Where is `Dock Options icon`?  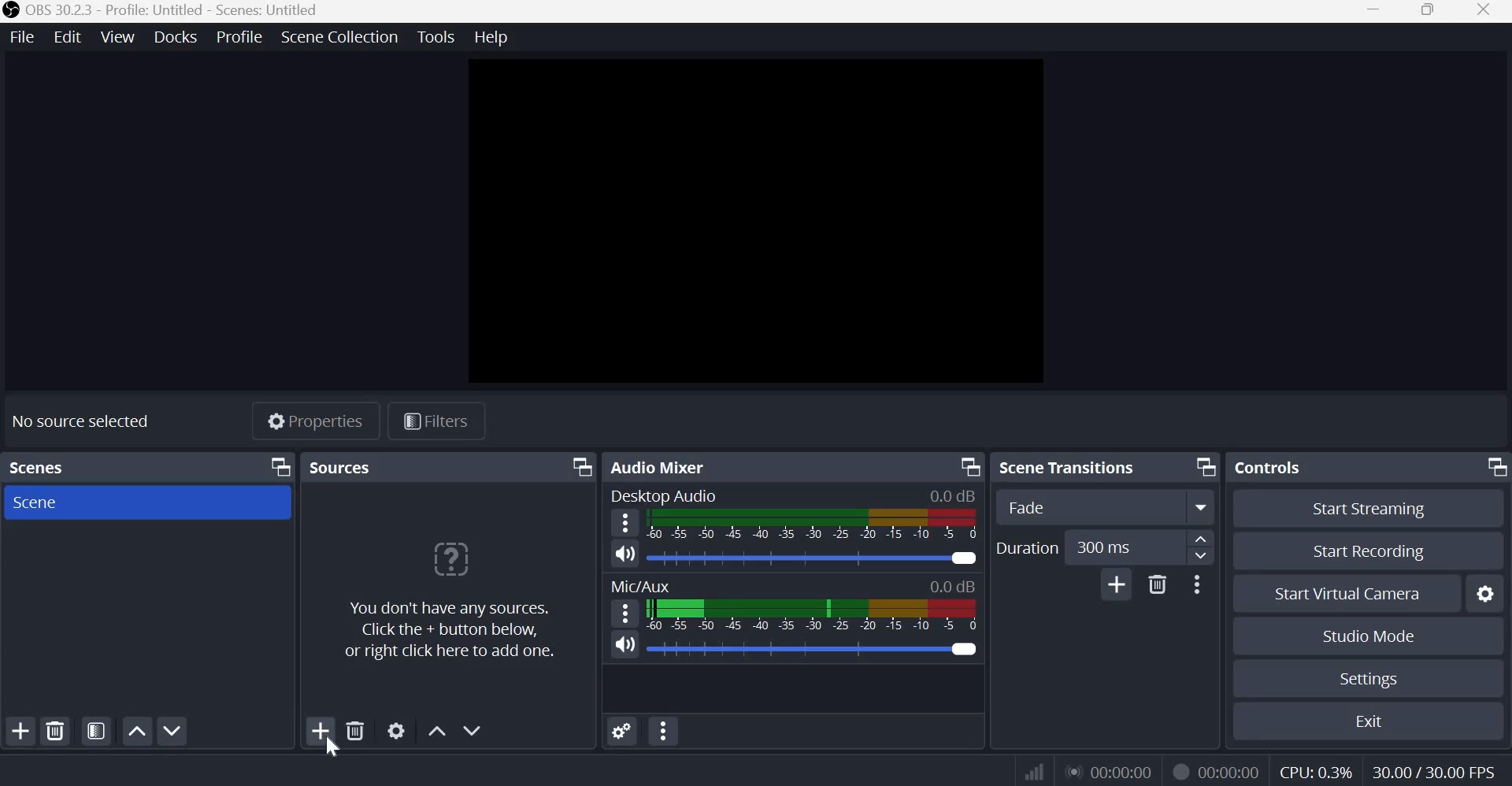
Dock Options icon is located at coordinates (276, 468).